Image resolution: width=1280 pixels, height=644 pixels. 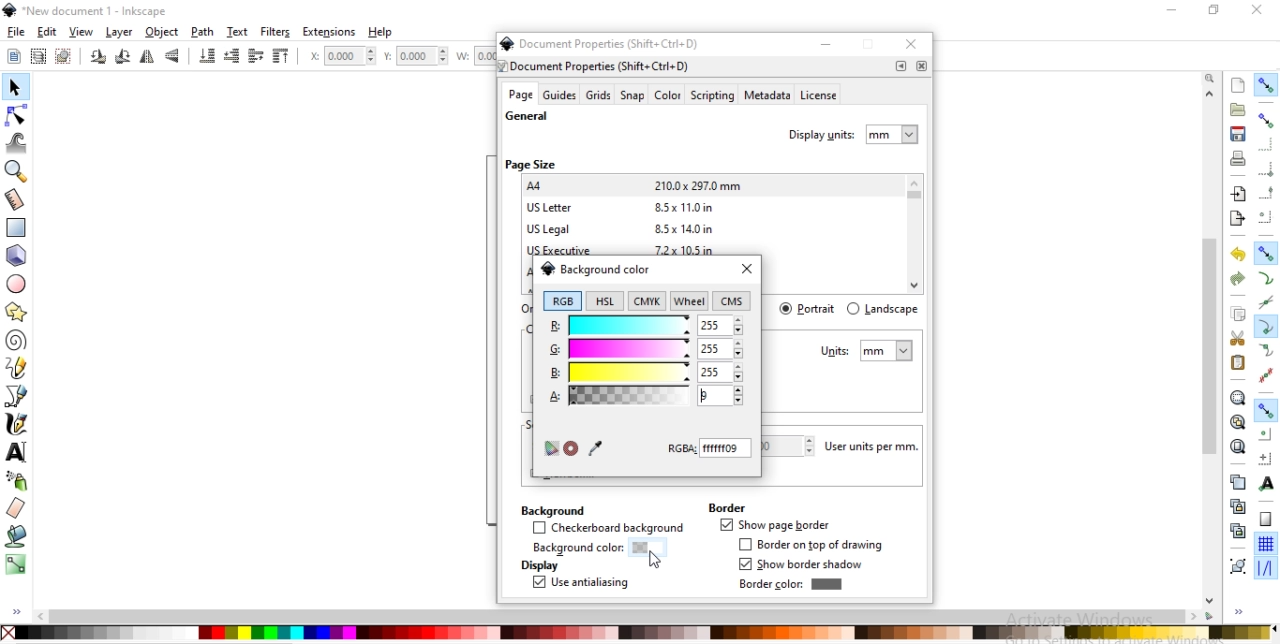 What do you see at coordinates (1169, 8) in the screenshot?
I see `minimize` at bounding box center [1169, 8].